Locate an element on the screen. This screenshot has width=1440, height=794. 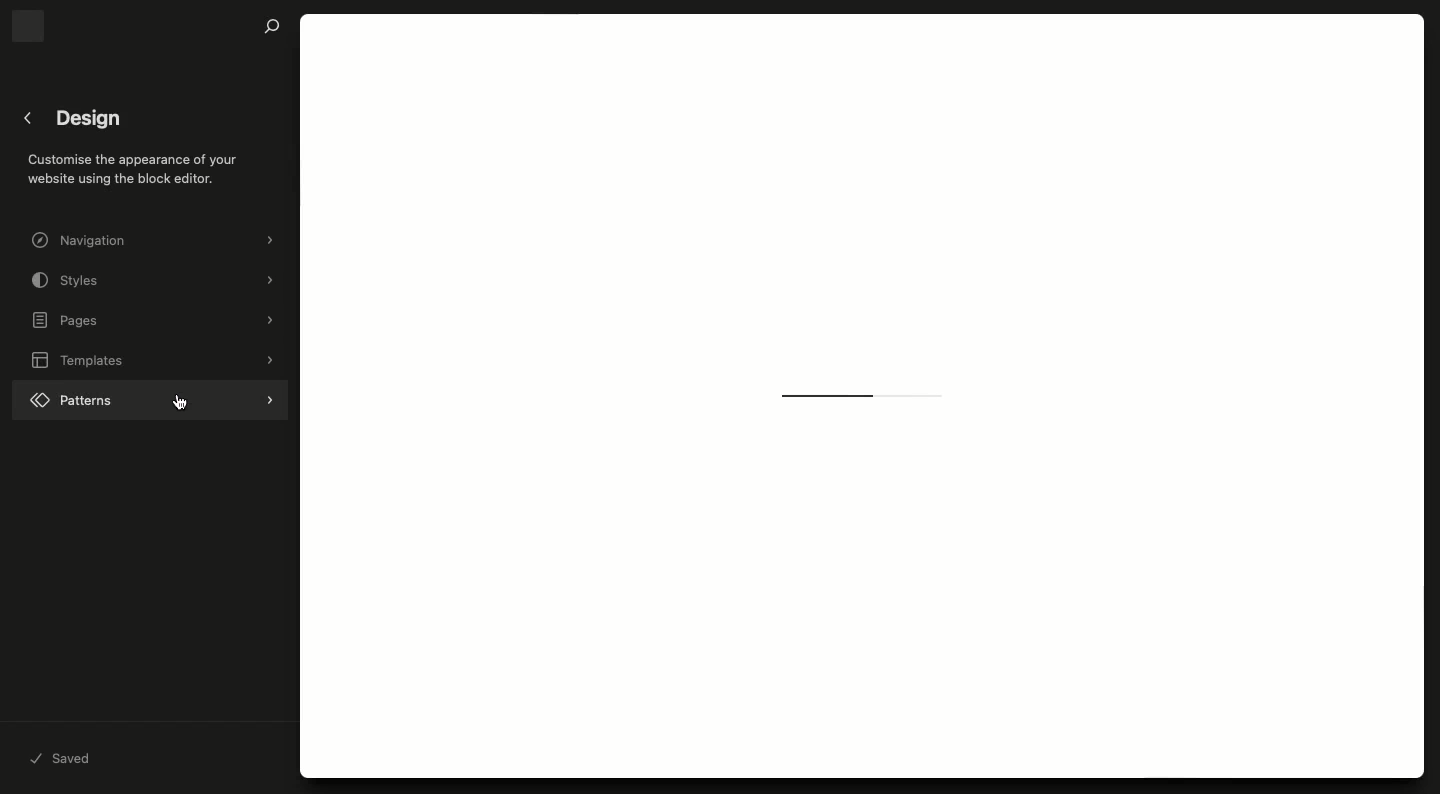
cursor is located at coordinates (183, 402).